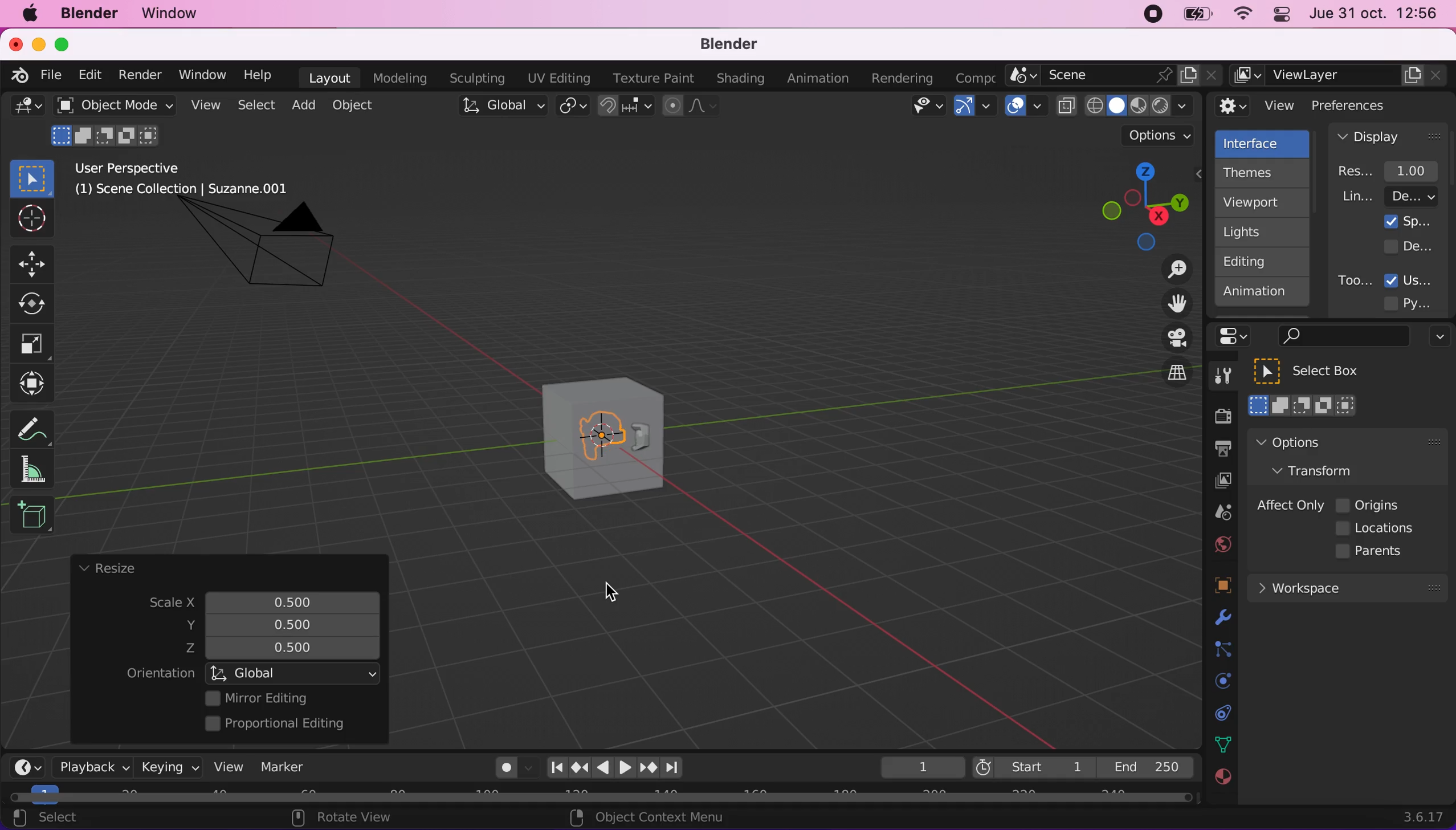 The height and width of the screenshot is (830, 1456). What do you see at coordinates (29, 15) in the screenshot?
I see `mac logo` at bounding box center [29, 15].